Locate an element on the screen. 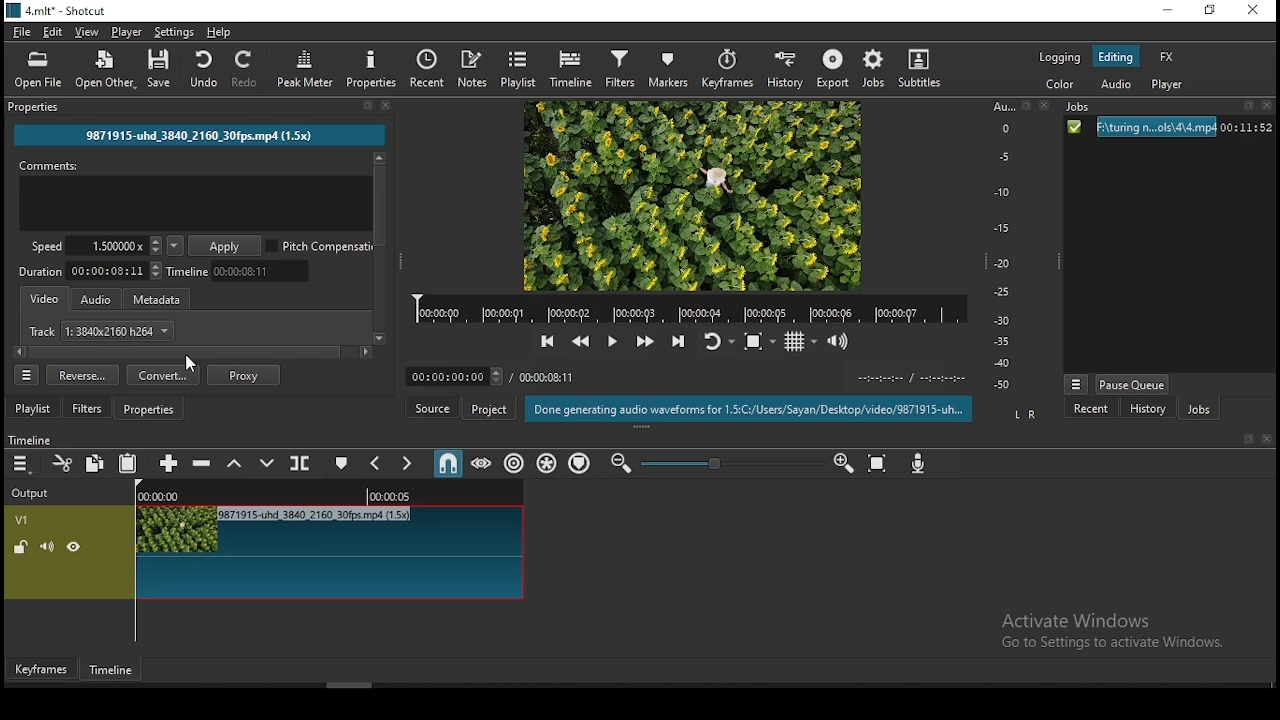 This screenshot has height=720, width=1280. close is located at coordinates (387, 105).